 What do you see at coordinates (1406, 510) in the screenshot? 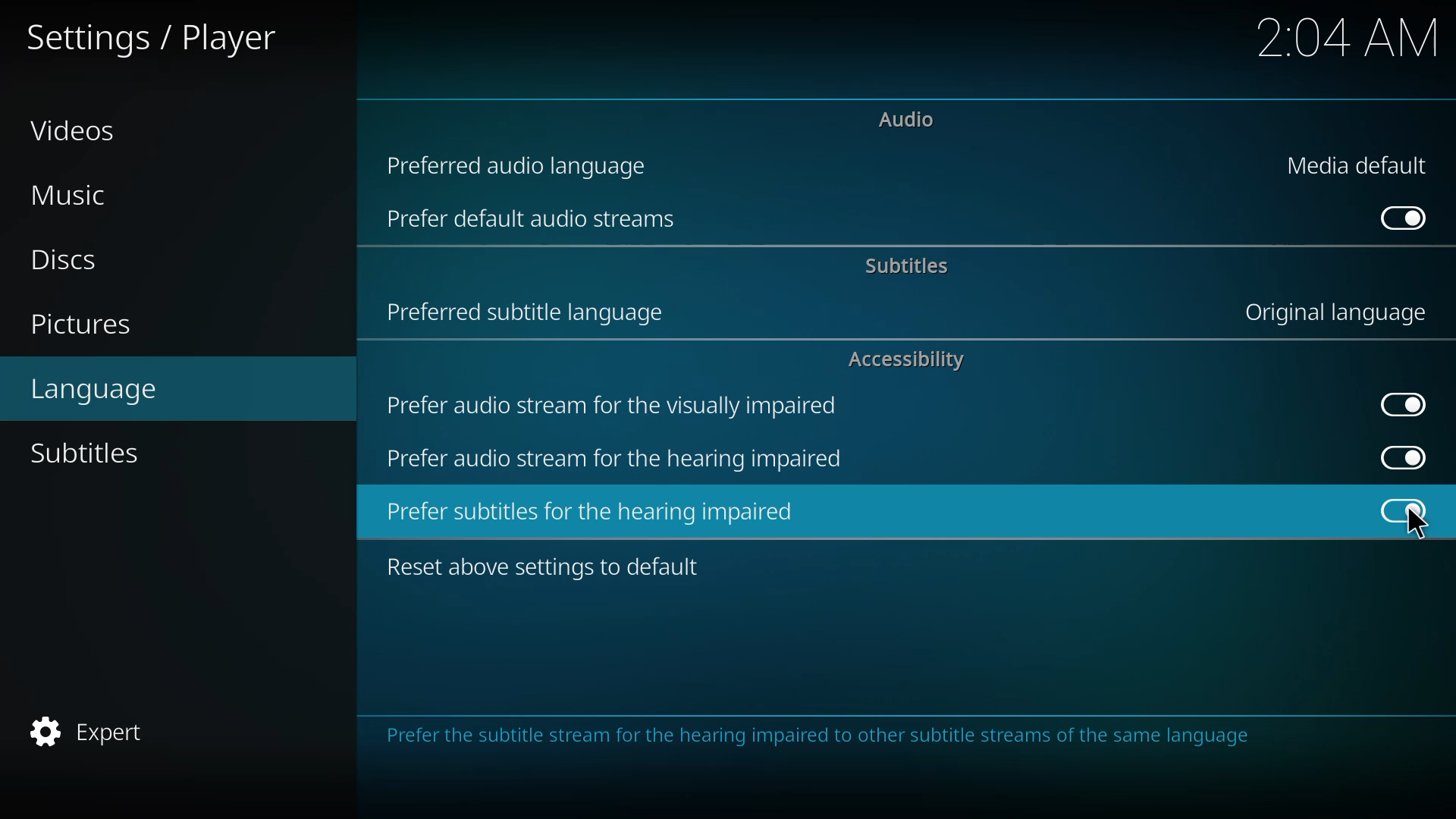
I see `enabled` at bounding box center [1406, 510].